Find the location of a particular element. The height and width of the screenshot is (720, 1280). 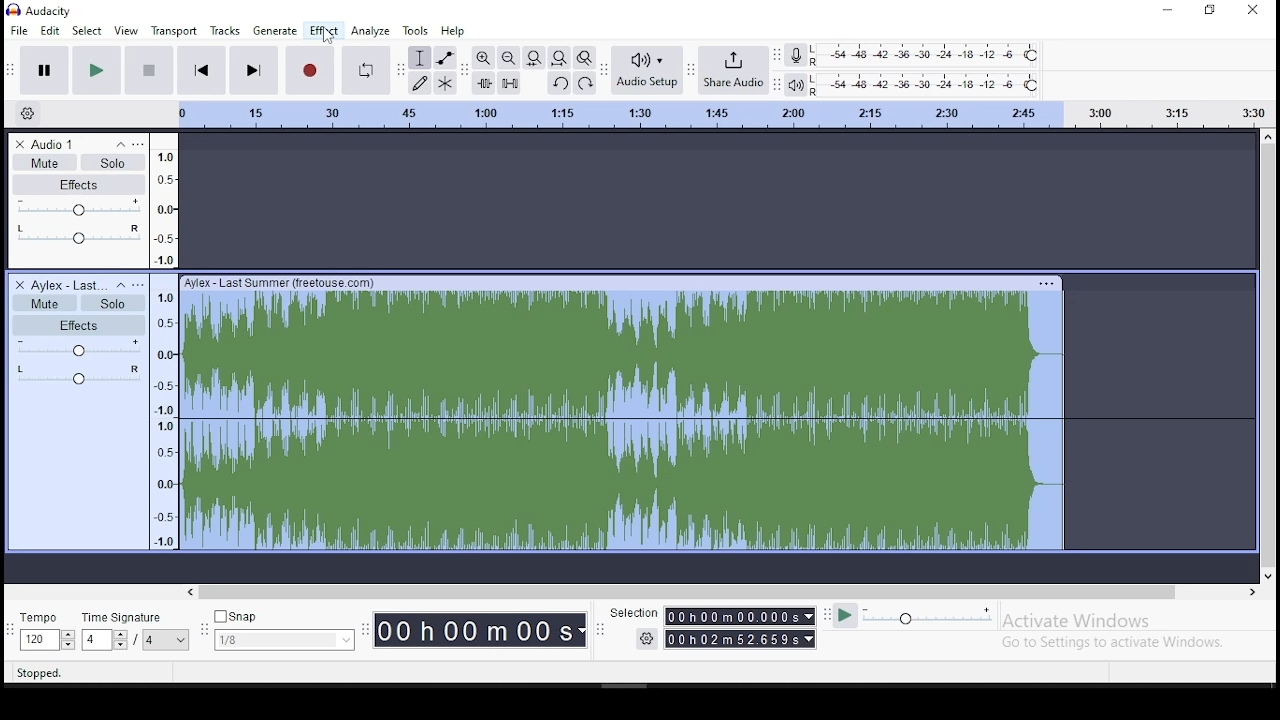

effects is located at coordinates (80, 325).